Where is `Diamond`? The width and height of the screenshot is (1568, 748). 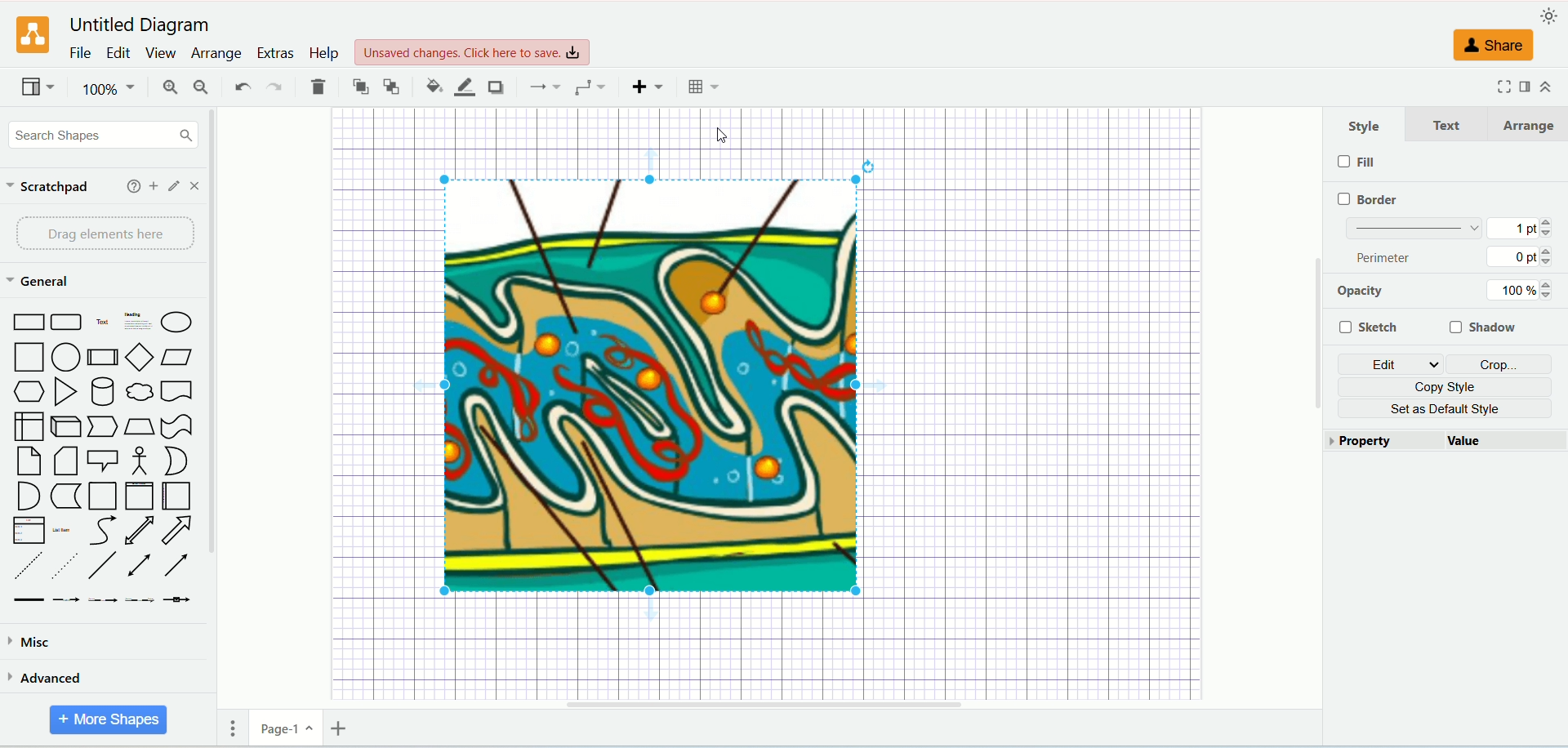 Diamond is located at coordinates (141, 359).